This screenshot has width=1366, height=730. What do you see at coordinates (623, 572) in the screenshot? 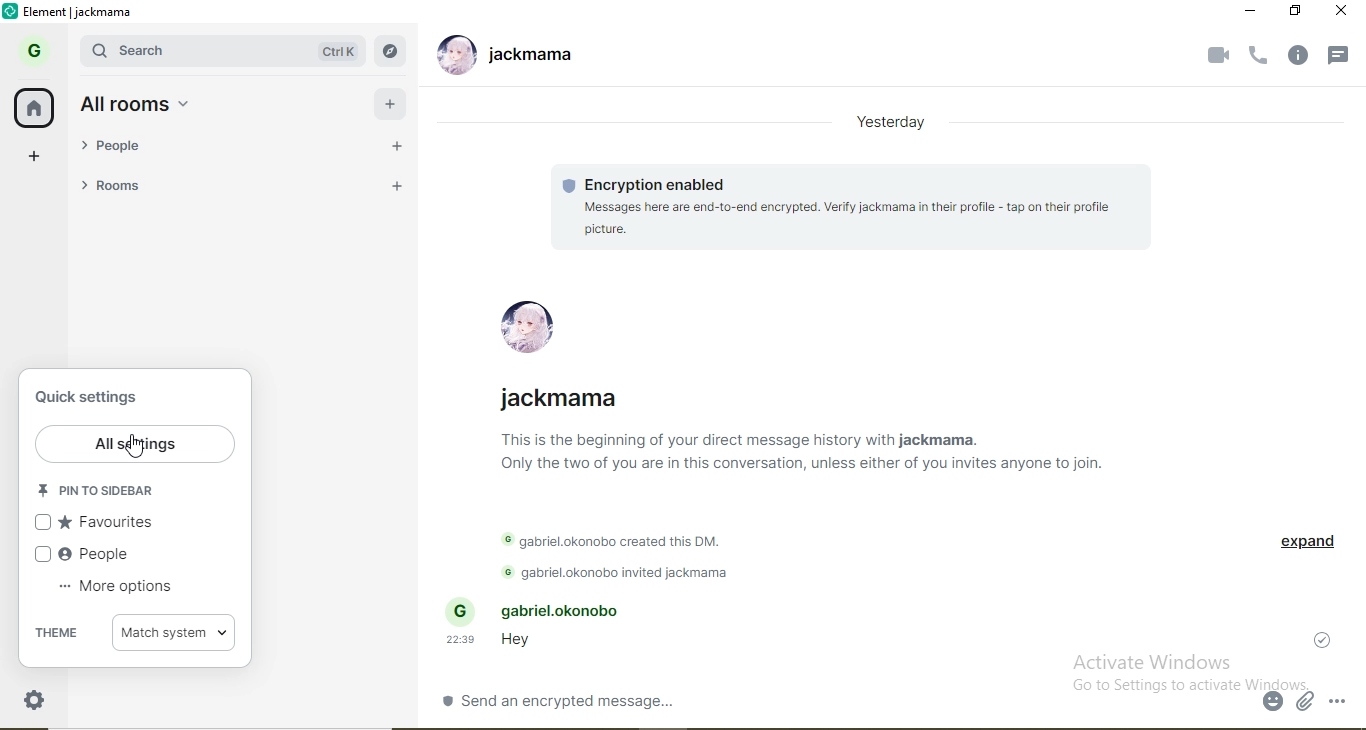
I see `text 3` at bounding box center [623, 572].